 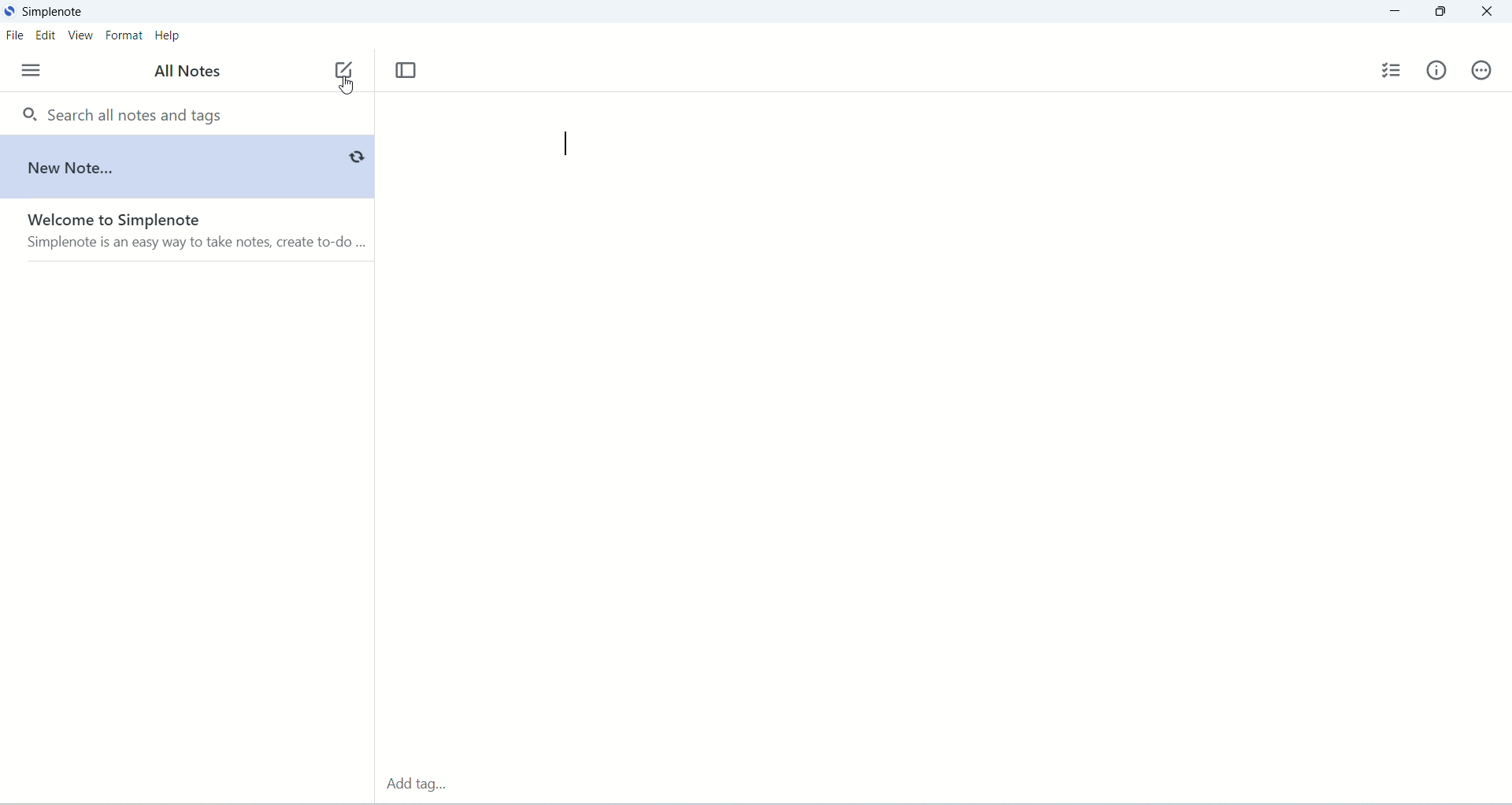 What do you see at coordinates (1482, 69) in the screenshot?
I see `actions` at bounding box center [1482, 69].